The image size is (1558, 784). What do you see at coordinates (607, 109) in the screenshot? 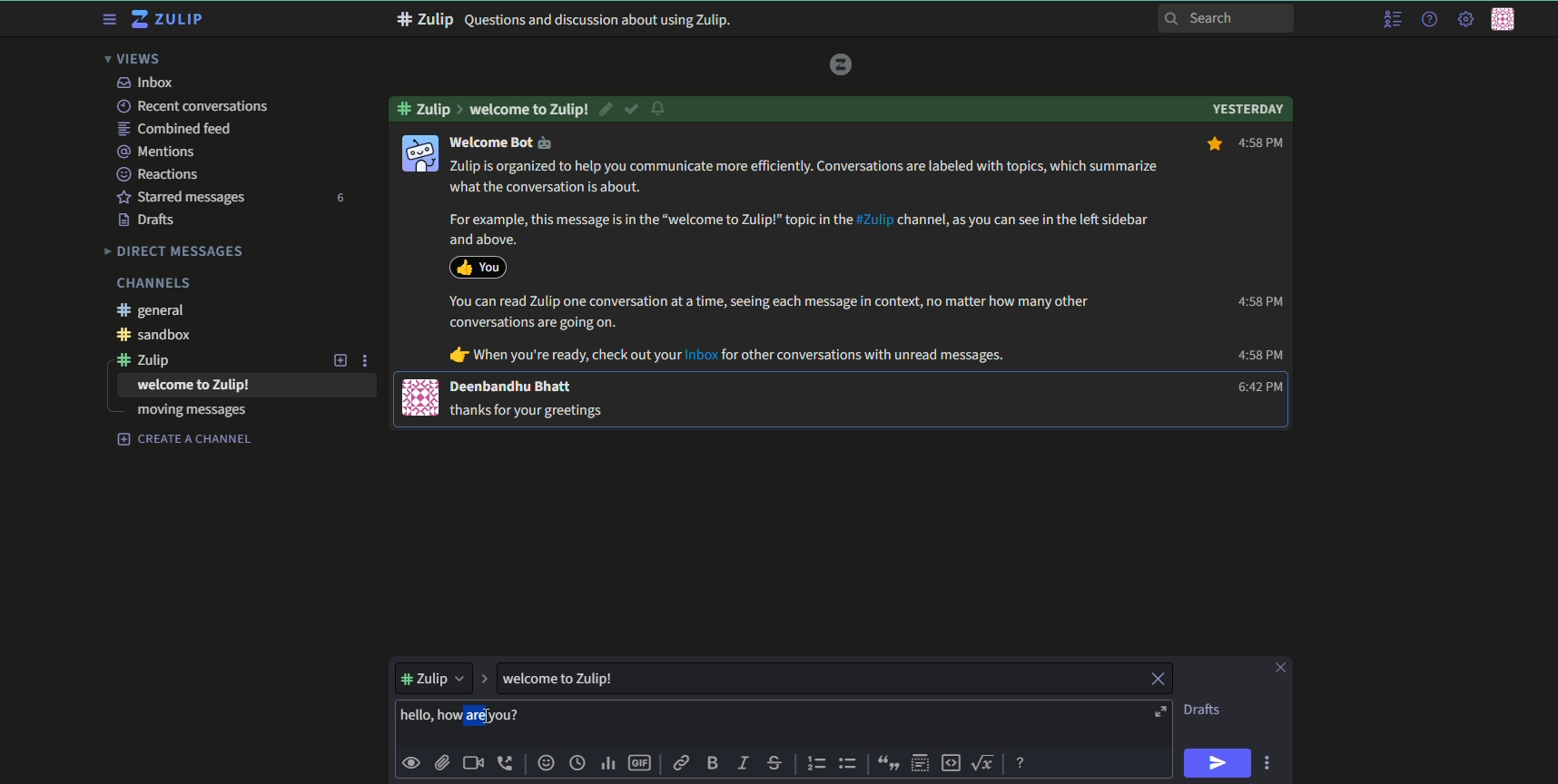
I see `edit` at bounding box center [607, 109].